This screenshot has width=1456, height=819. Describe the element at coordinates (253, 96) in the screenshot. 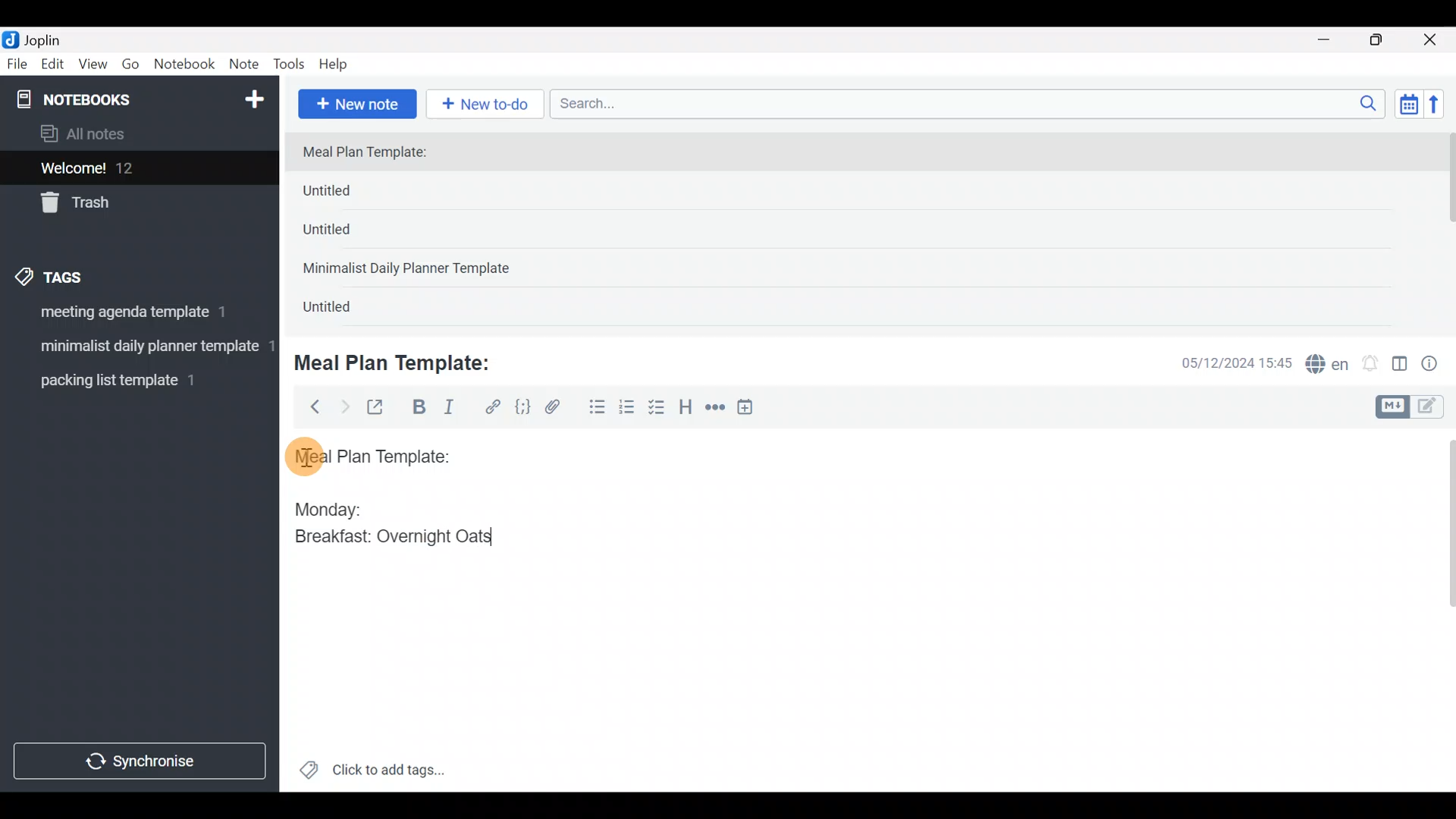

I see `New` at that location.